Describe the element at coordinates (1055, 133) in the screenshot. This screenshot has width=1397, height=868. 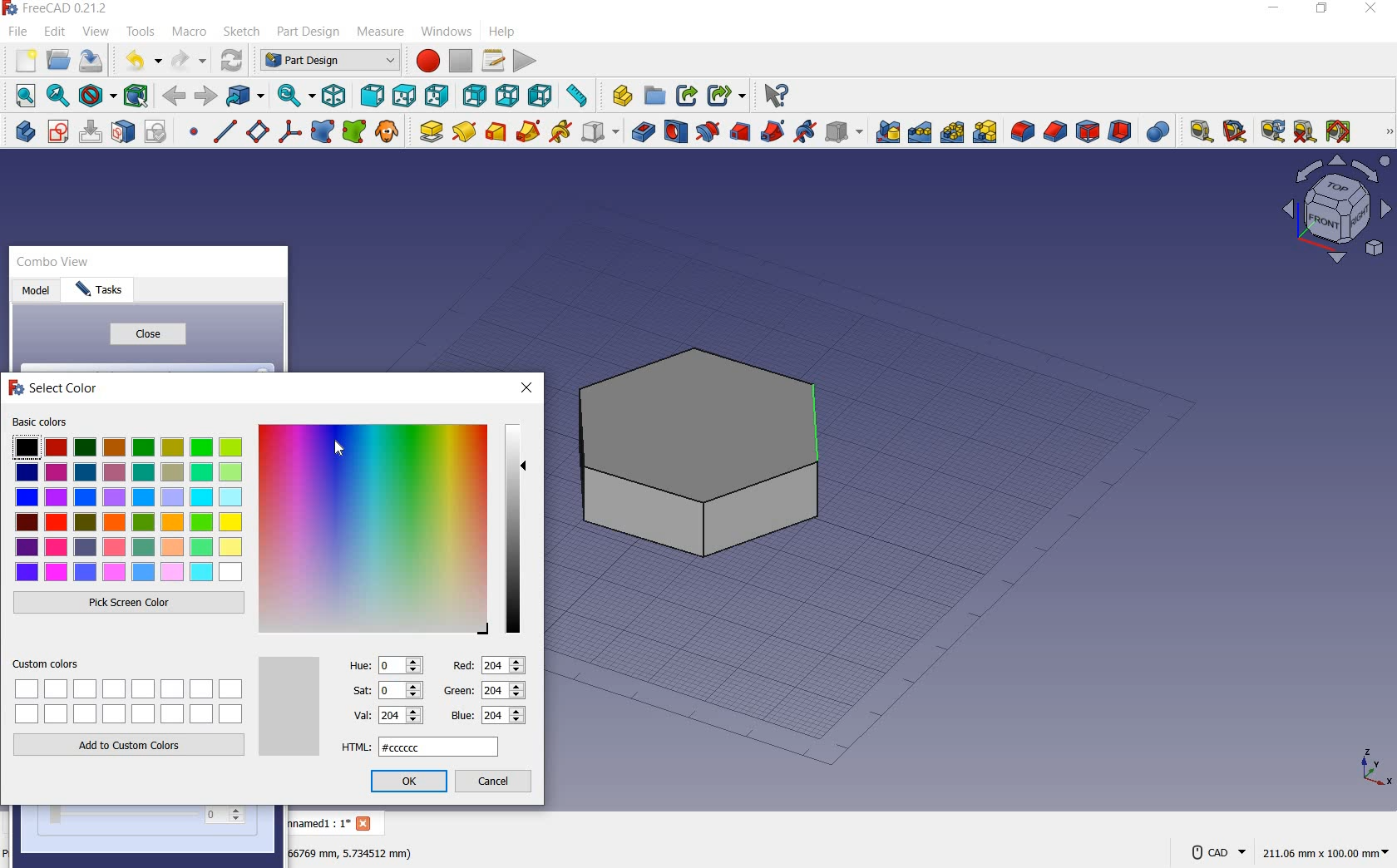
I see `chamfer` at that location.